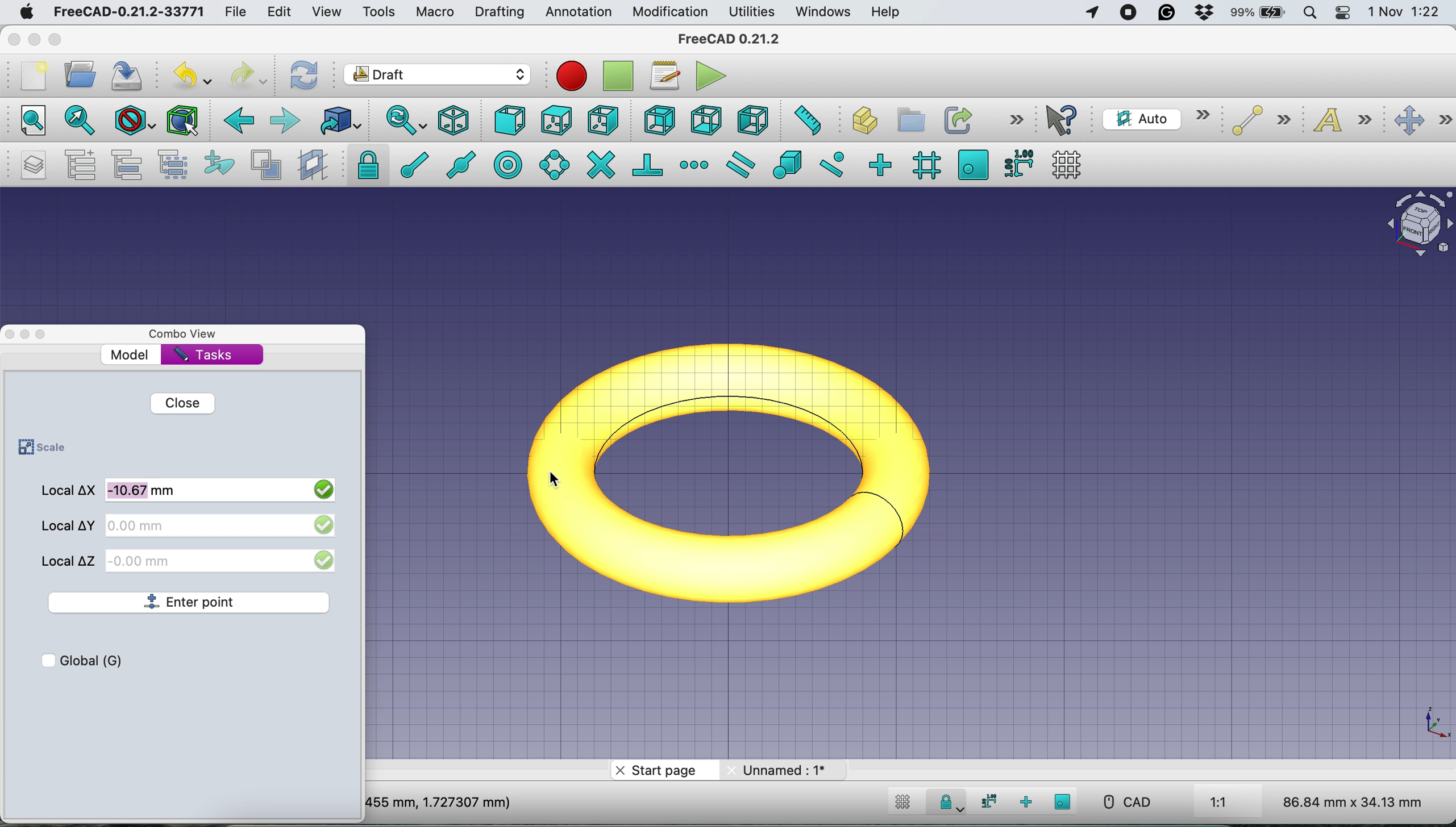 The height and width of the screenshot is (827, 1456). Describe the element at coordinates (305, 76) in the screenshot. I see `refresh` at that location.